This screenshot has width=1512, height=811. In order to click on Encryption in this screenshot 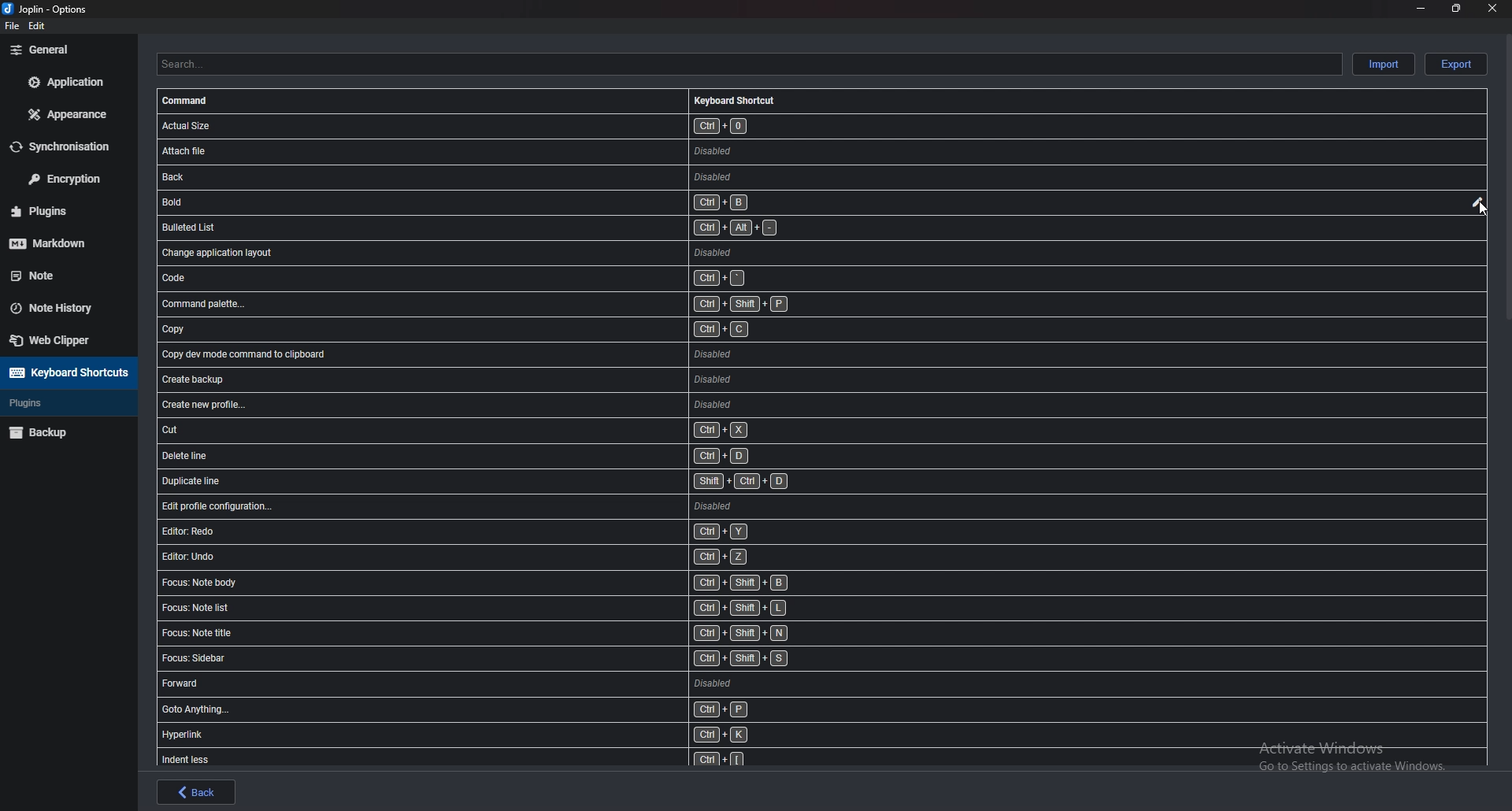, I will do `click(65, 179)`.